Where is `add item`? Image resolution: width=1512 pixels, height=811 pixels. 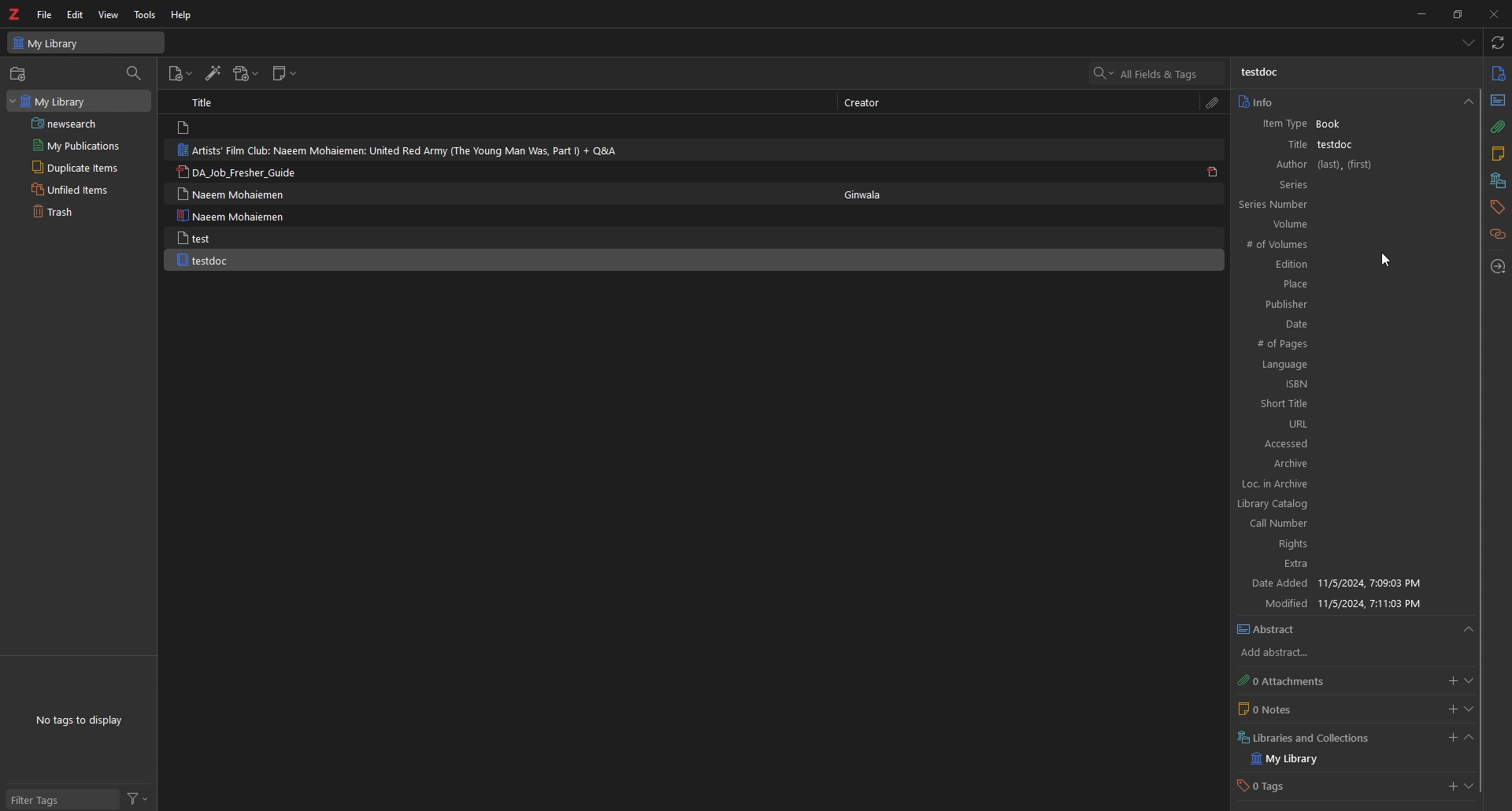 add item is located at coordinates (180, 74).